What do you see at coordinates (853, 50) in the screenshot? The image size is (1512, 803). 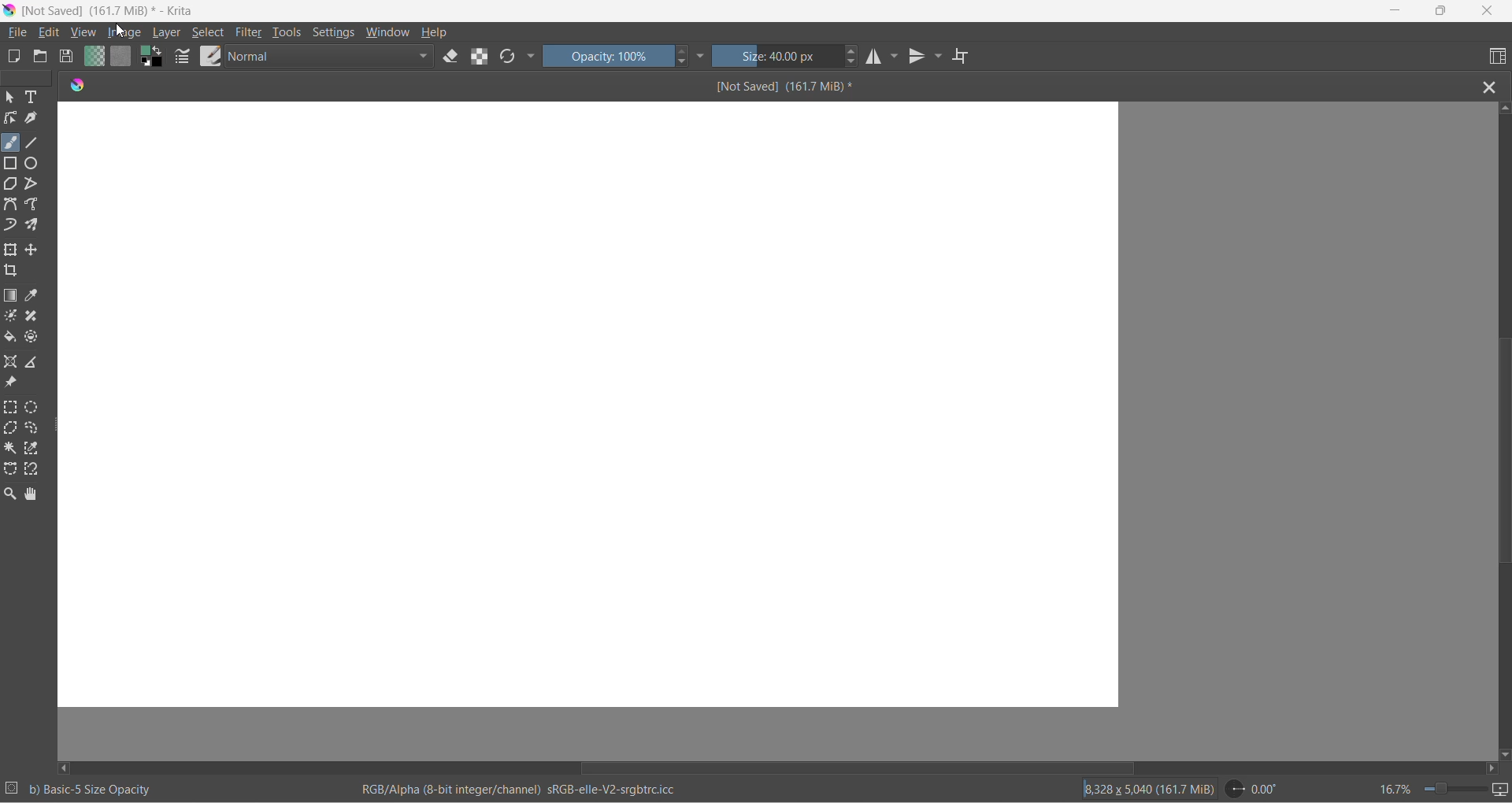 I see `increment size` at bounding box center [853, 50].